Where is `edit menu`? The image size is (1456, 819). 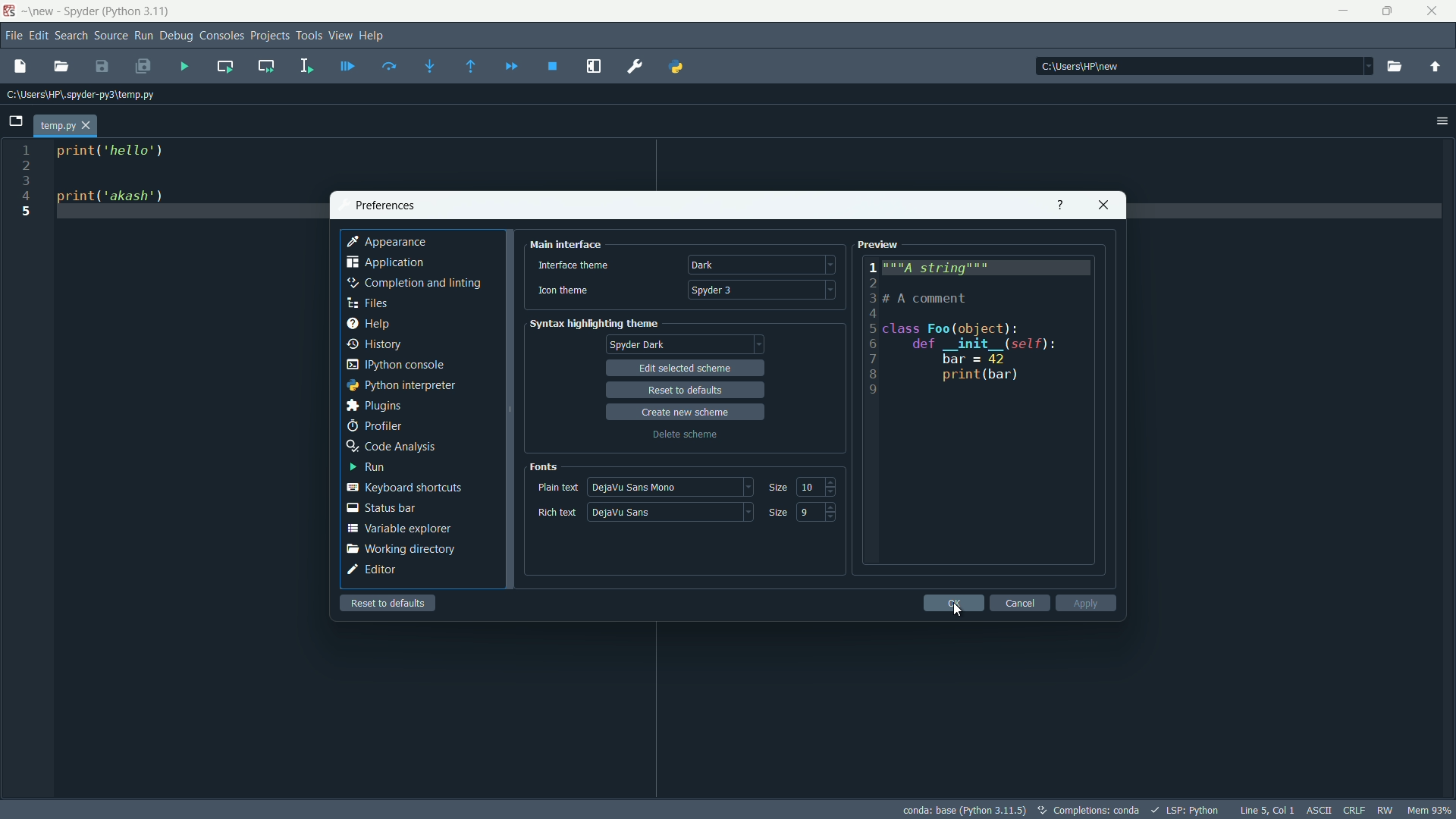 edit menu is located at coordinates (39, 35).